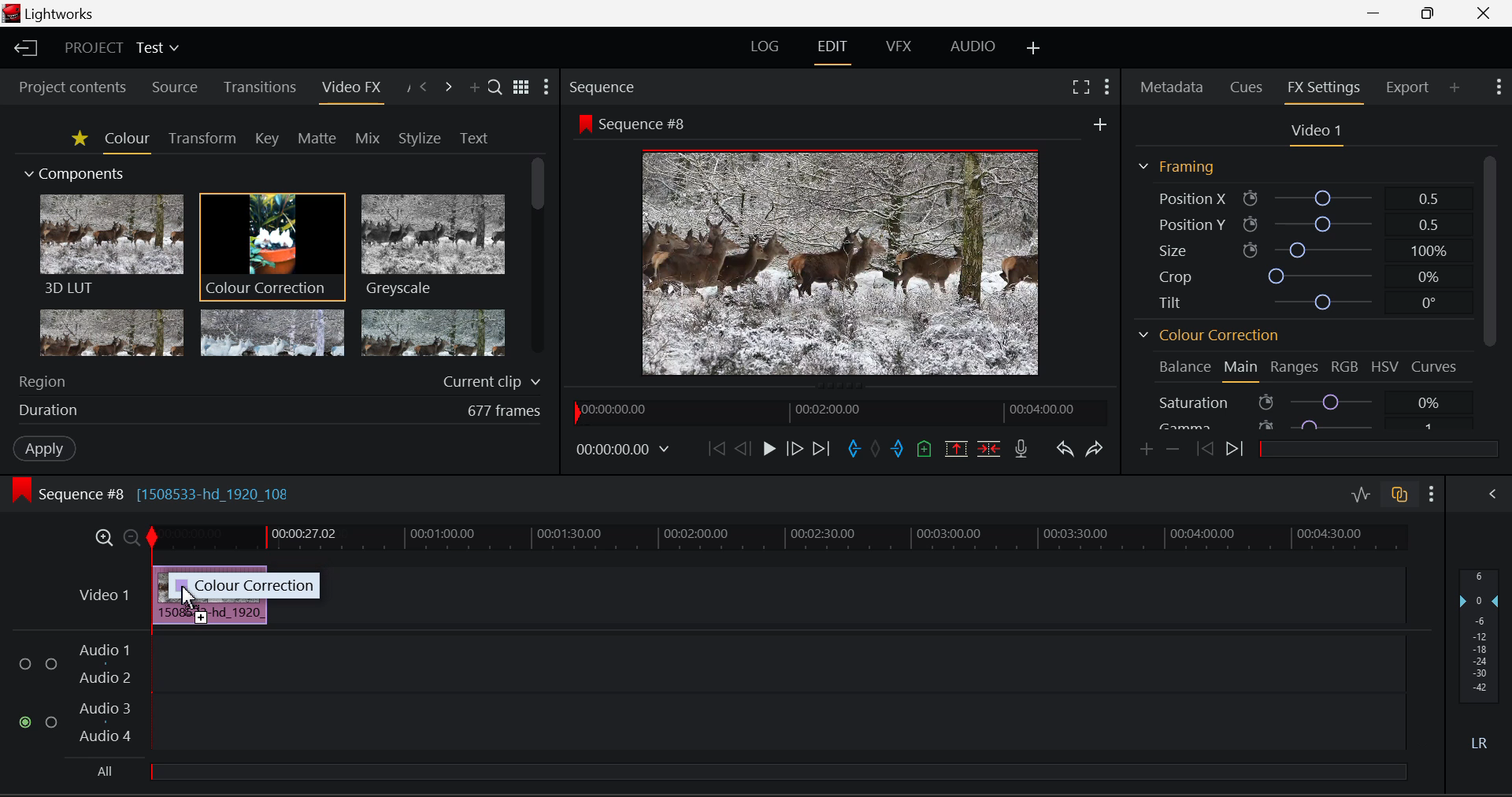 This screenshot has width=1512, height=797. What do you see at coordinates (767, 50) in the screenshot?
I see `LOG Layout` at bounding box center [767, 50].